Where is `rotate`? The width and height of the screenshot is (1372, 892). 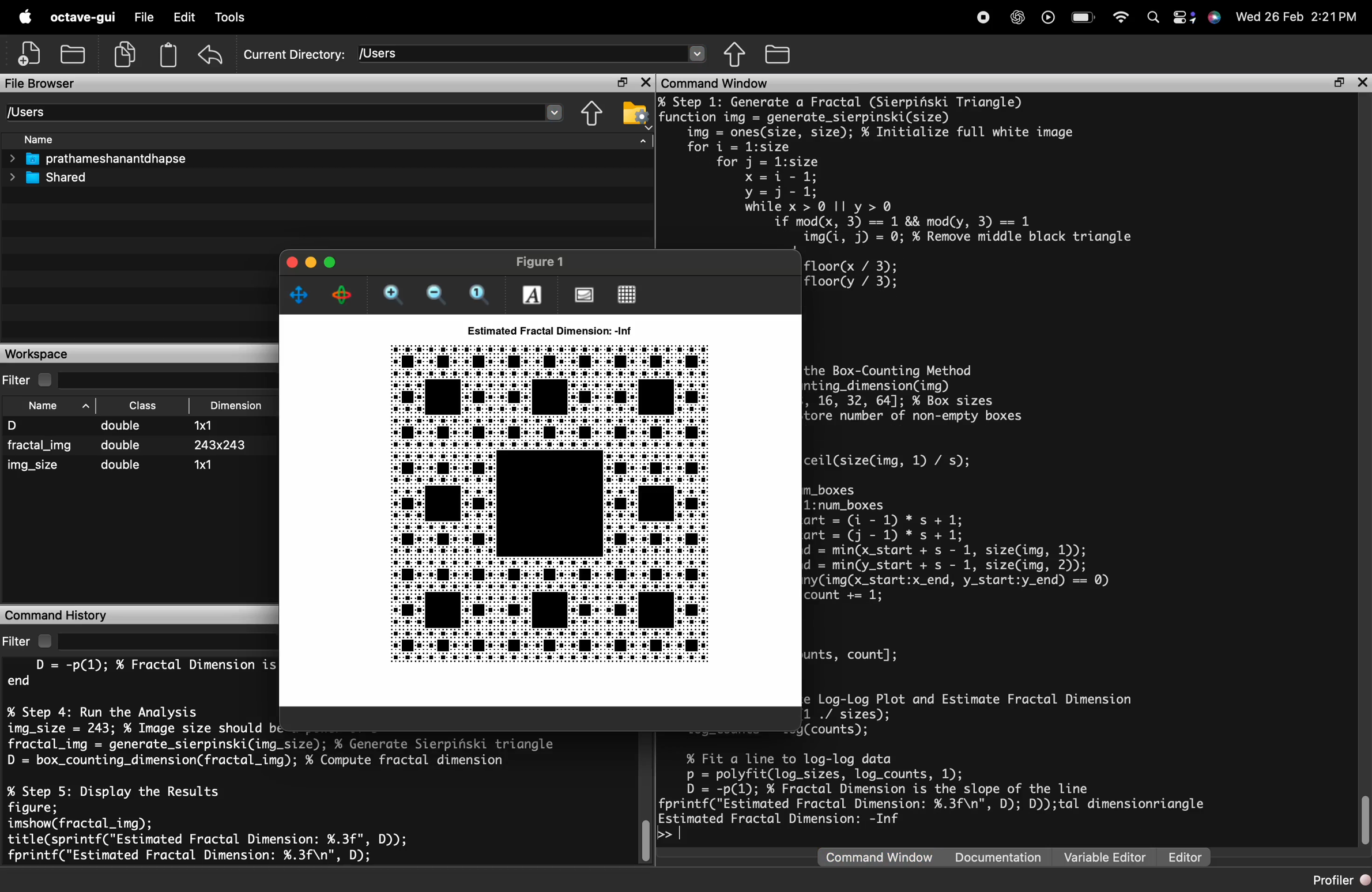
rotate is located at coordinates (342, 297).